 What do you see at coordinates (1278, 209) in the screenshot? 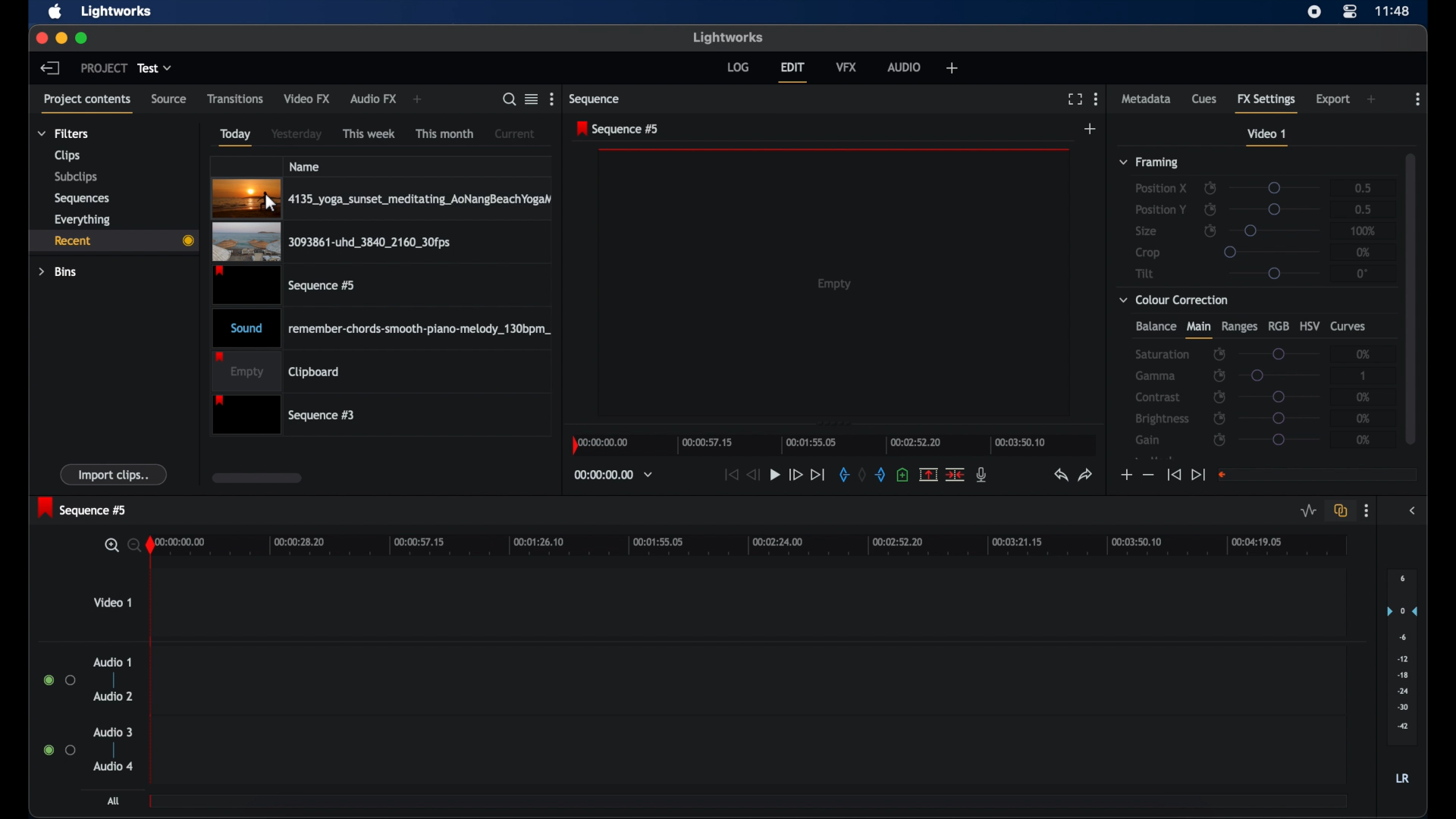
I see `slider` at bounding box center [1278, 209].